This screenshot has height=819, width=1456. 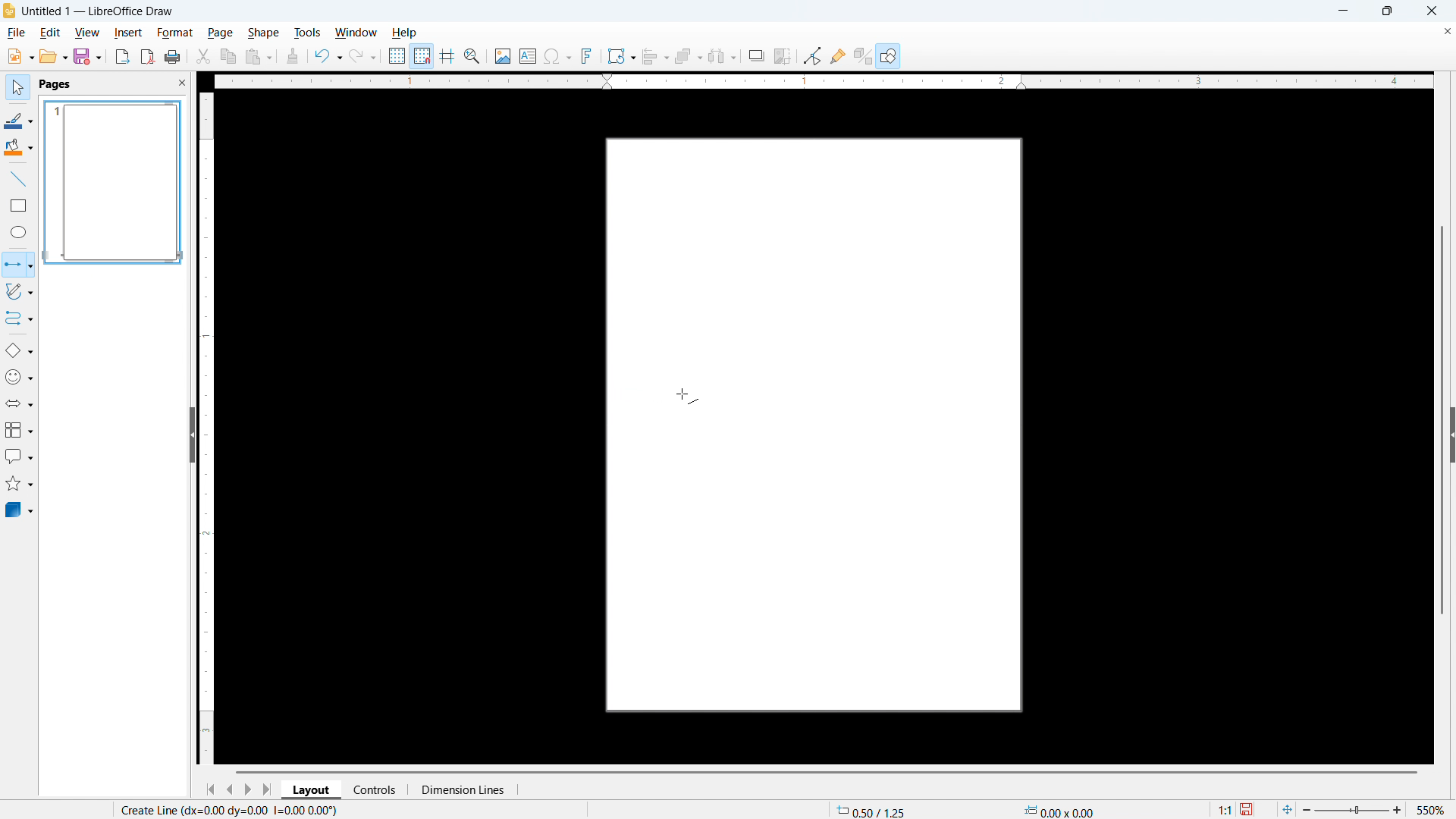 What do you see at coordinates (207, 428) in the screenshot?
I see `Vertical ruler ` at bounding box center [207, 428].